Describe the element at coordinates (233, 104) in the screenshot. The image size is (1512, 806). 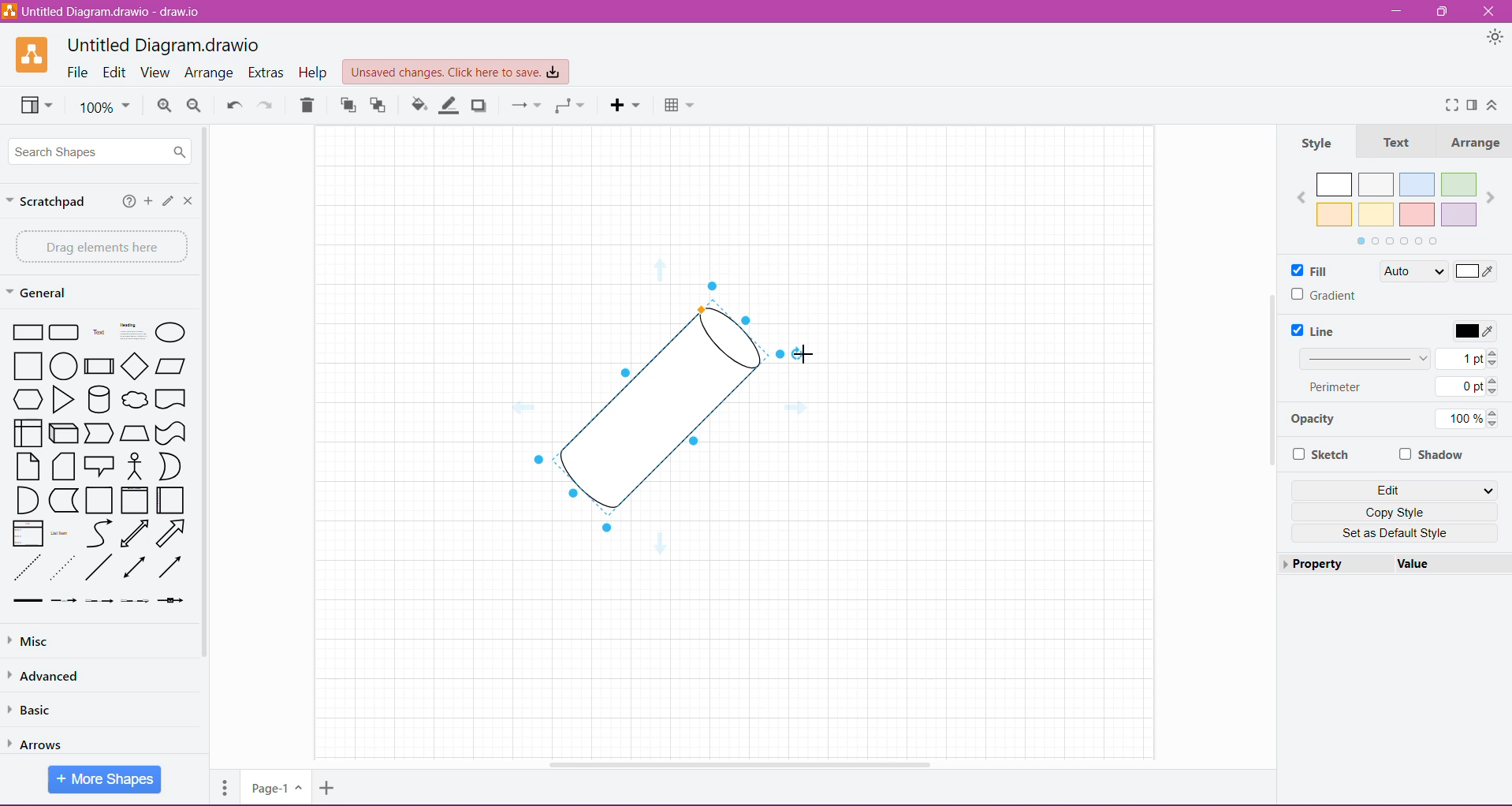
I see `Undo` at that location.